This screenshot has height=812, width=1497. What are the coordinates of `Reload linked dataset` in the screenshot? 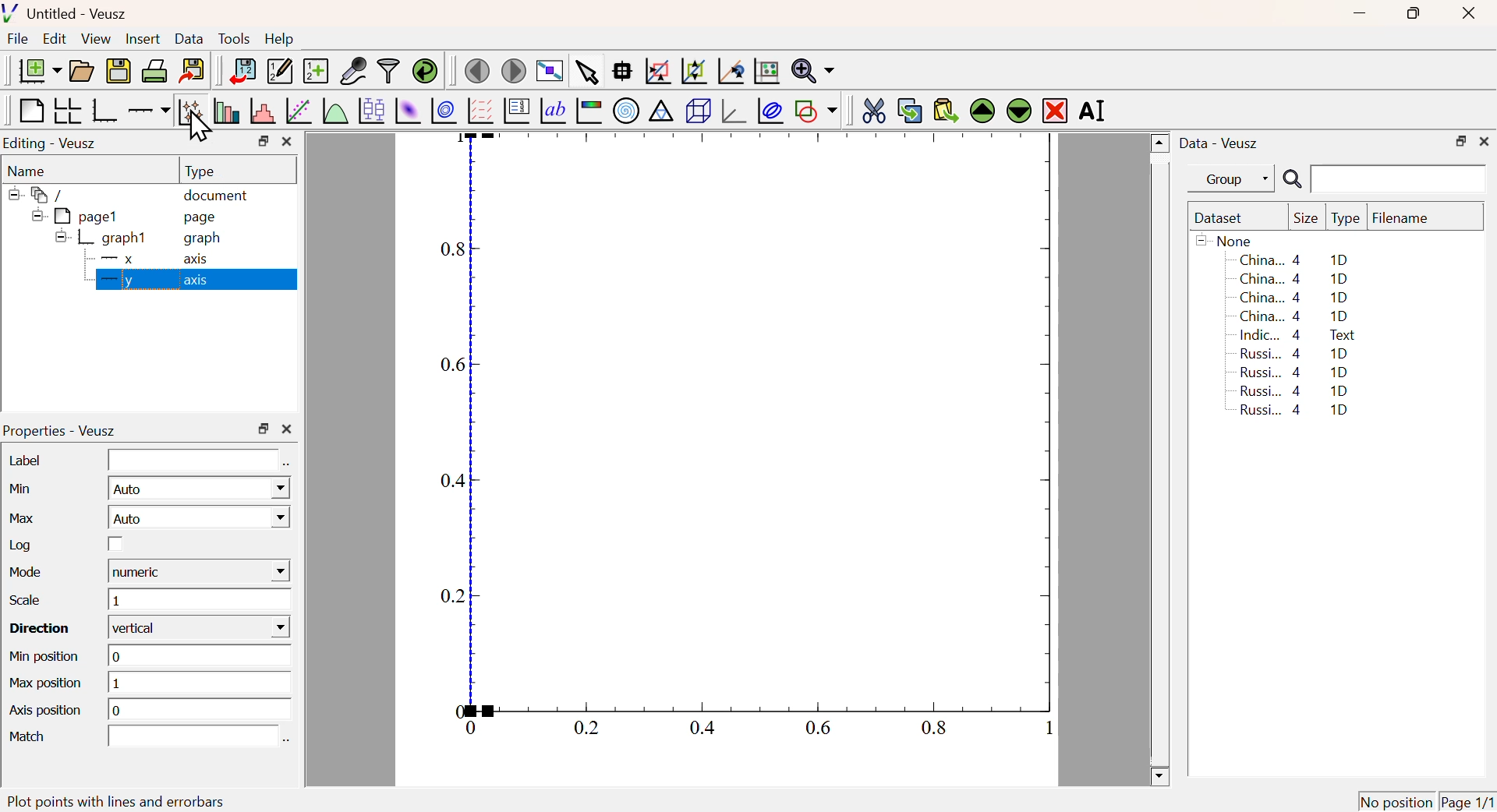 It's located at (425, 69).